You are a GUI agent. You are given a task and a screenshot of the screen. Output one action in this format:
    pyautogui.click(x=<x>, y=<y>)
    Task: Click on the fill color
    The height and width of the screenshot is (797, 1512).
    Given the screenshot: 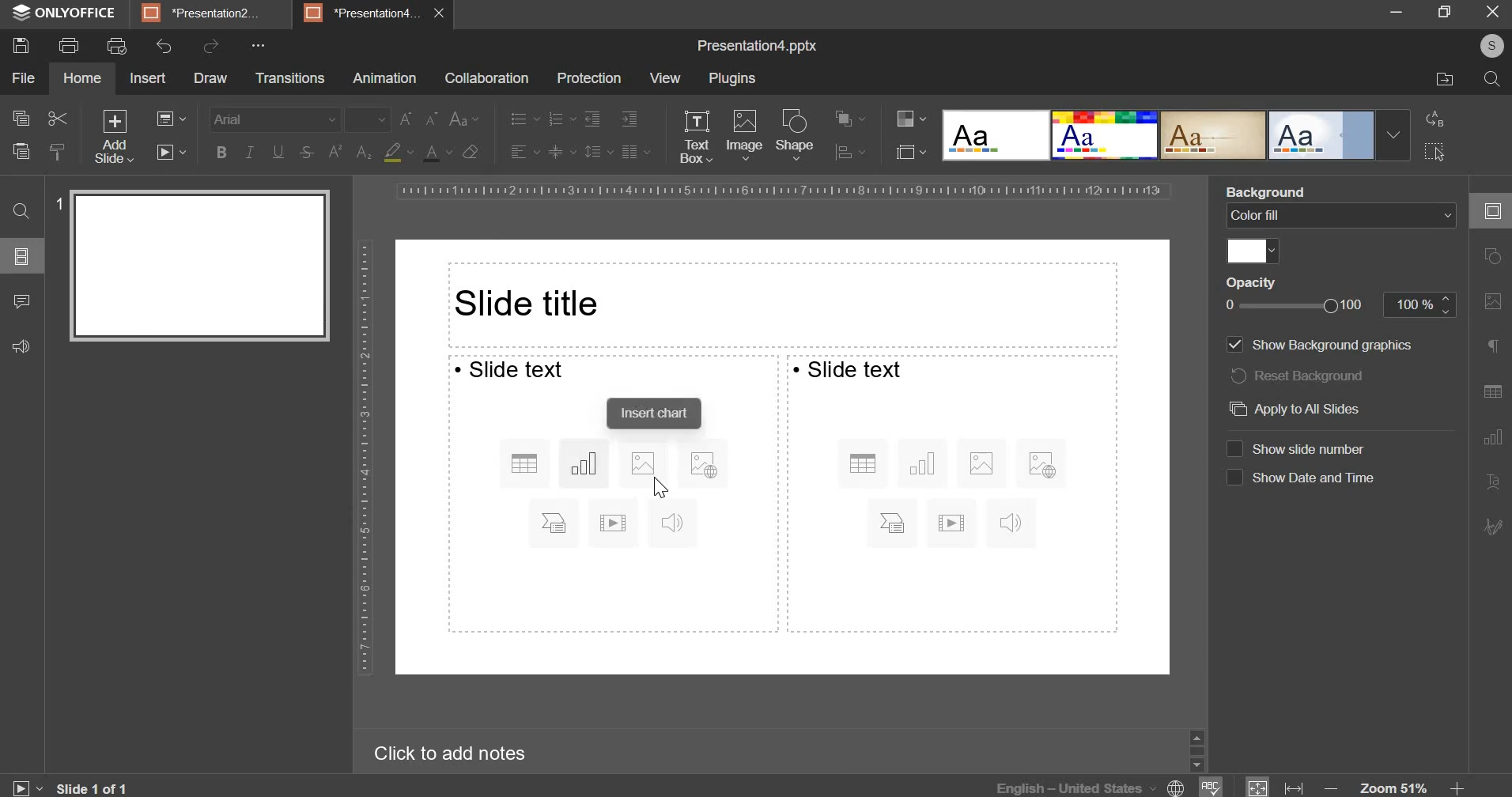 What is the action you would take?
    pyautogui.click(x=1253, y=251)
    